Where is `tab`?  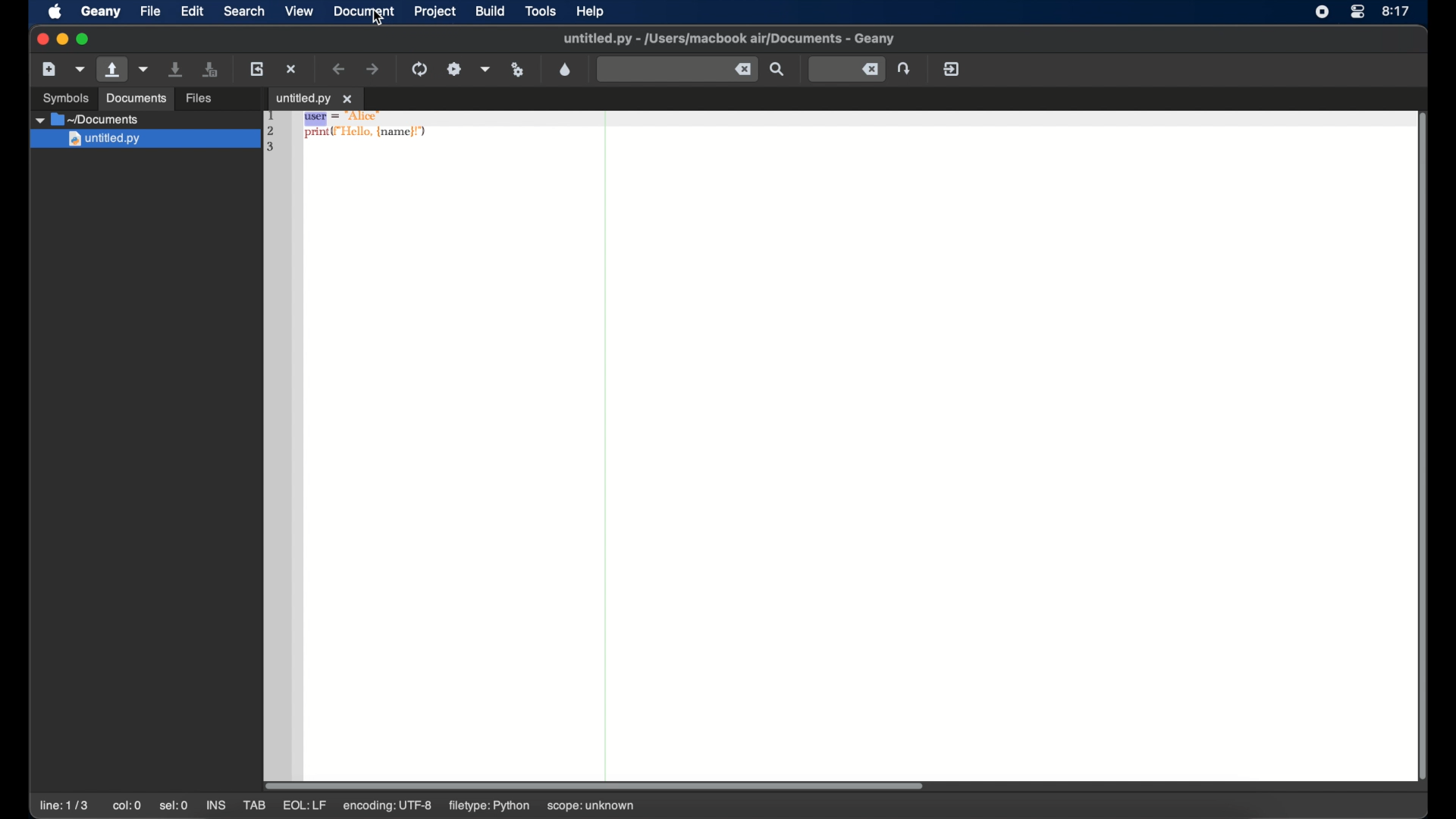 tab is located at coordinates (315, 97).